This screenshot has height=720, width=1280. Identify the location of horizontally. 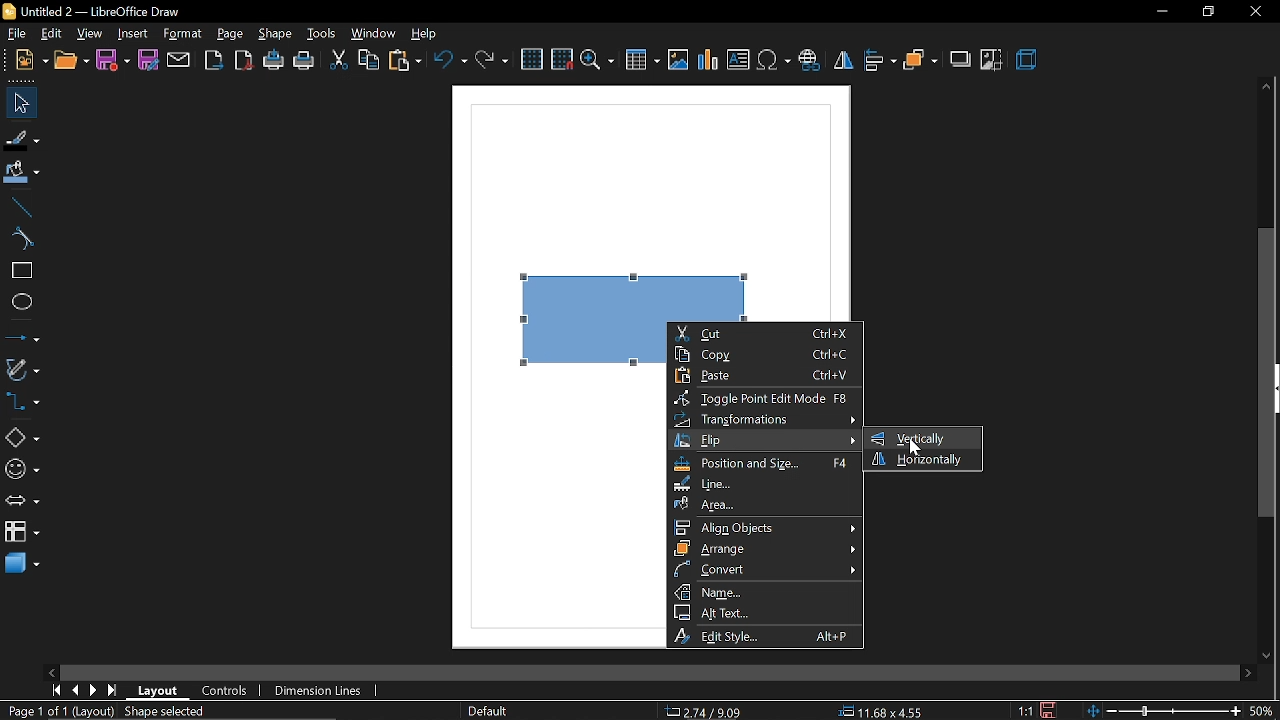
(923, 460).